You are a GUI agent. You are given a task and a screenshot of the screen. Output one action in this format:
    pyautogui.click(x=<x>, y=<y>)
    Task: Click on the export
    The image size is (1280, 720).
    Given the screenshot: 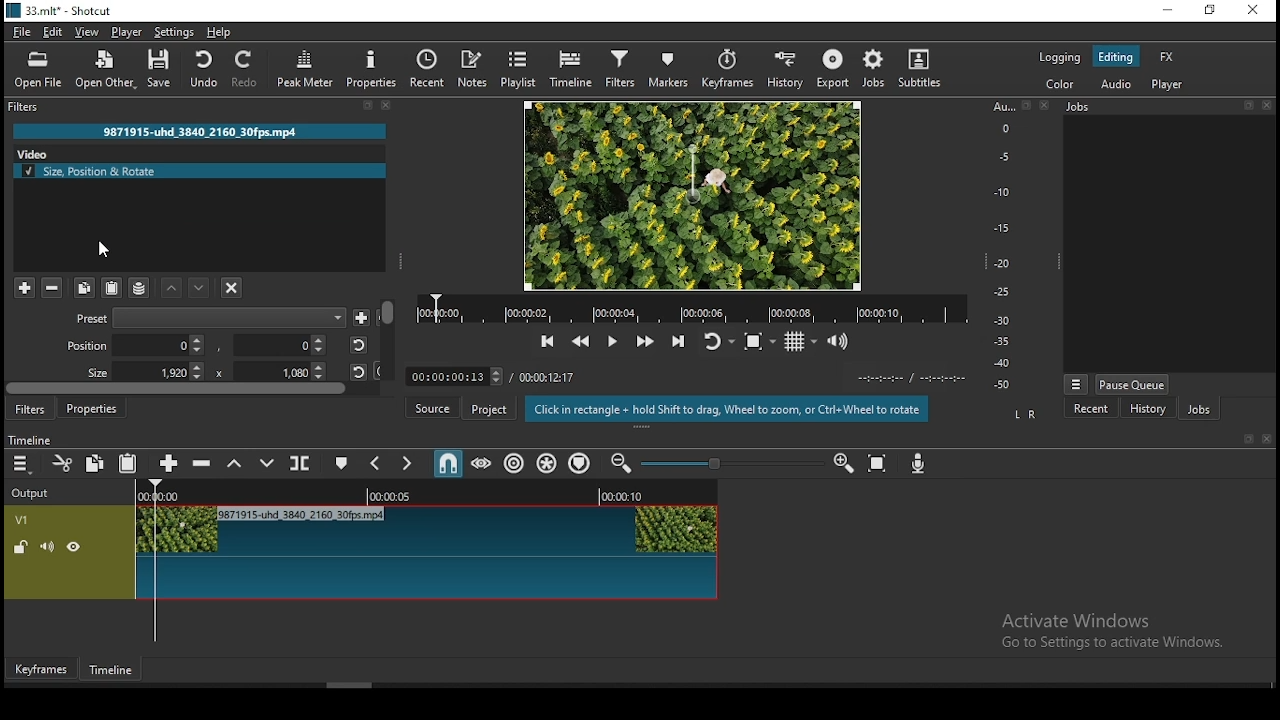 What is the action you would take?
    pyautogui.click(x=836, y=70)
    